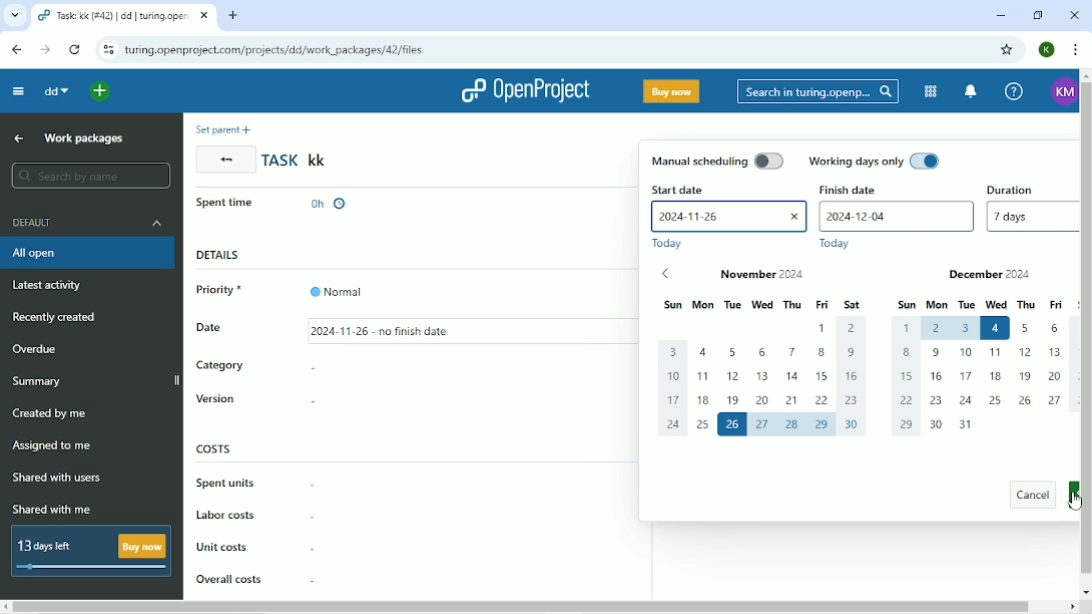 The height and width of the screenshot is (614, 1092). Describe the element at coordinates (1007, 50) in the screenshot. I see `Bookmark this tab` at that location.